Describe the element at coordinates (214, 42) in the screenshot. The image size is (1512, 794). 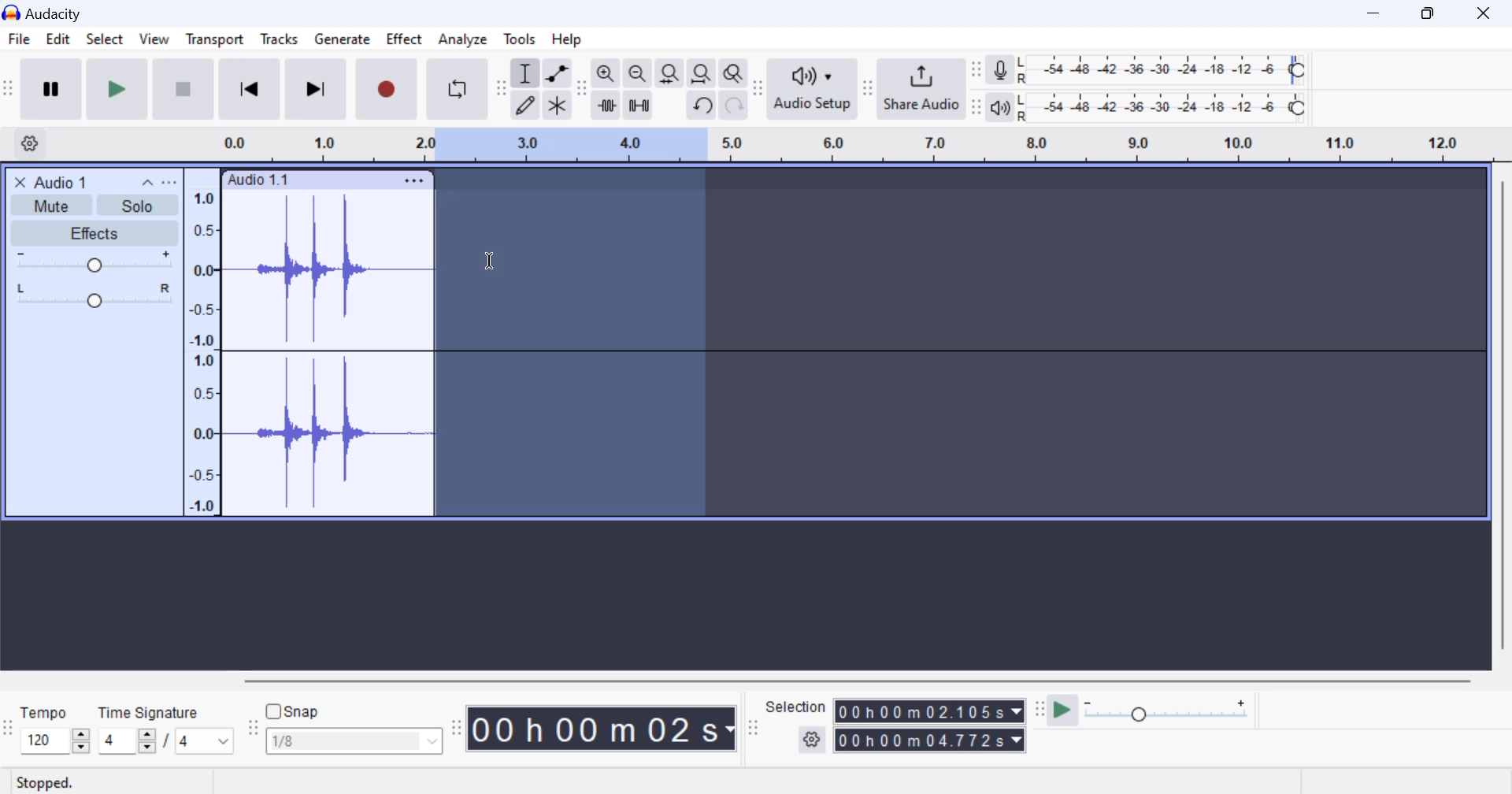
I see `Transport` at that location.